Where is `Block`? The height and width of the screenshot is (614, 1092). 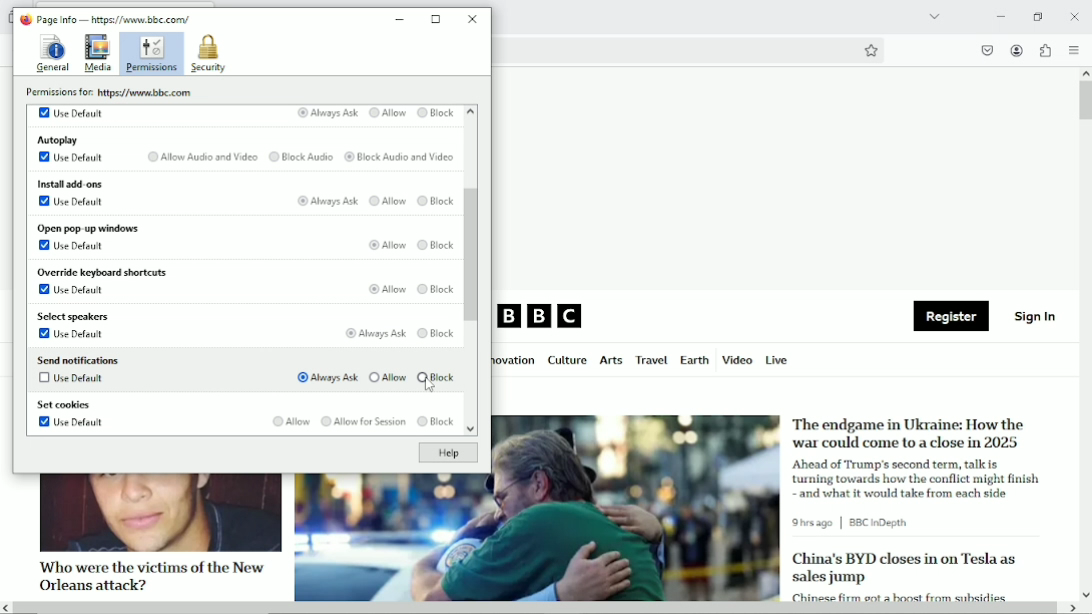
Block is located at coordinates (438, 333).